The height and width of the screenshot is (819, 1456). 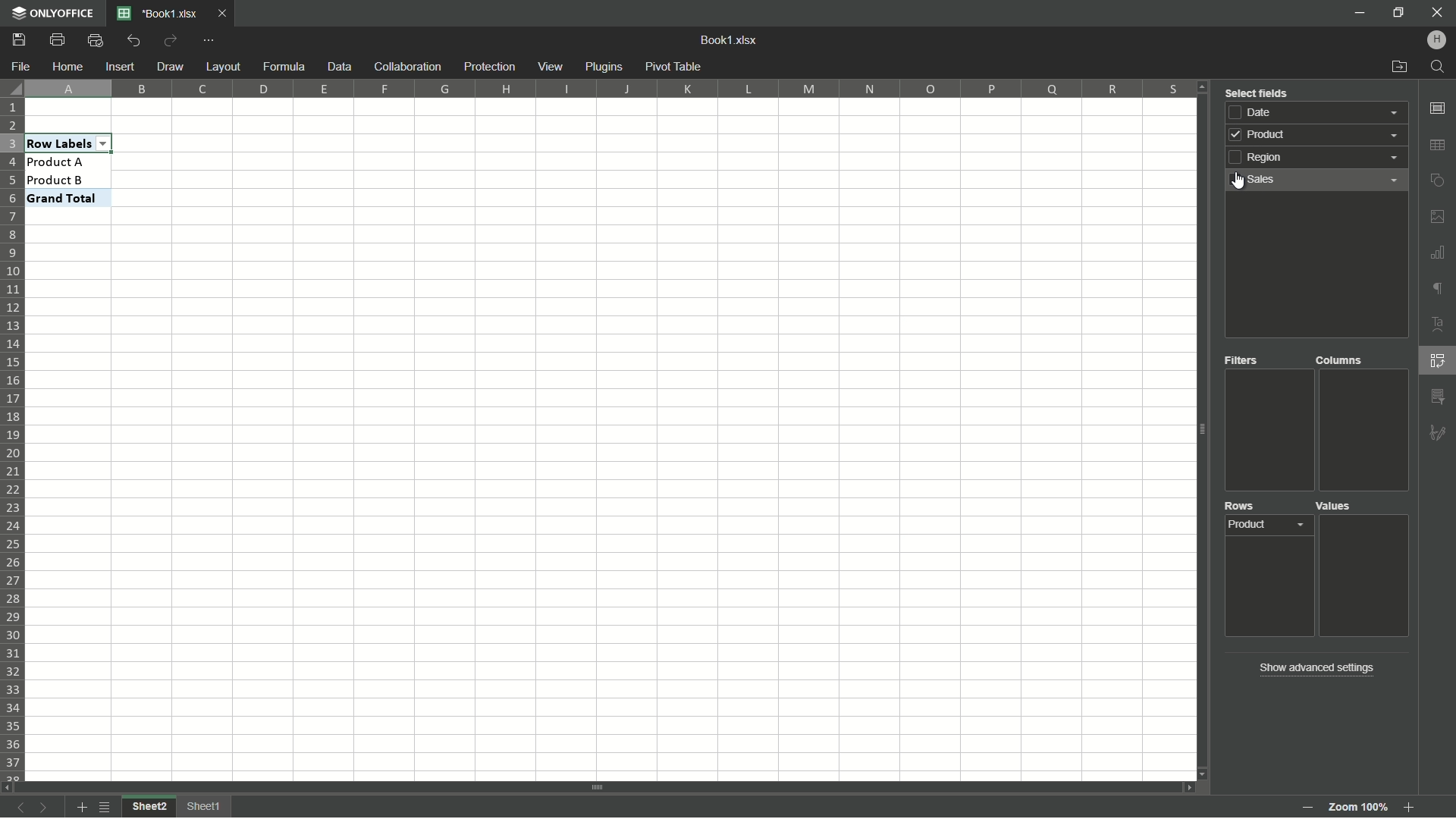 I want to click on minimize/maximize, so click(x=1398, y=13).